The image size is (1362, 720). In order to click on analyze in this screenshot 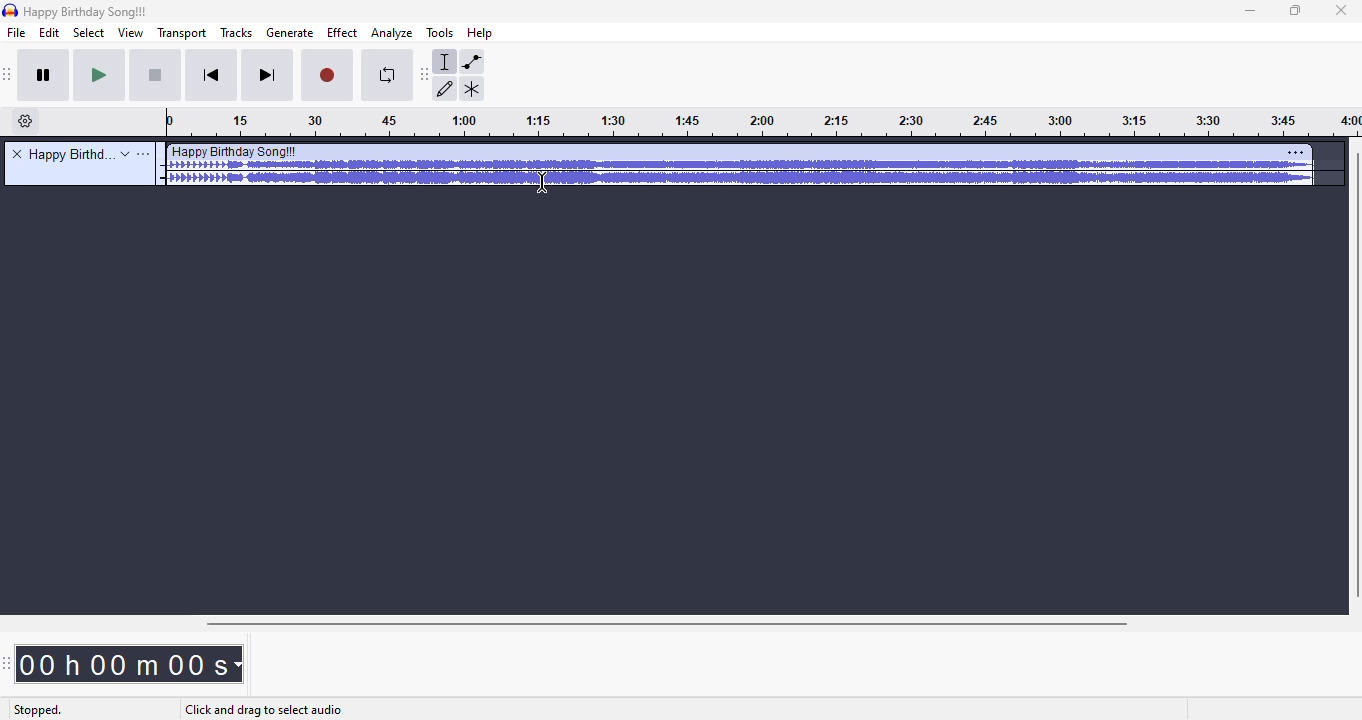, I will do `click(392, 34)`.